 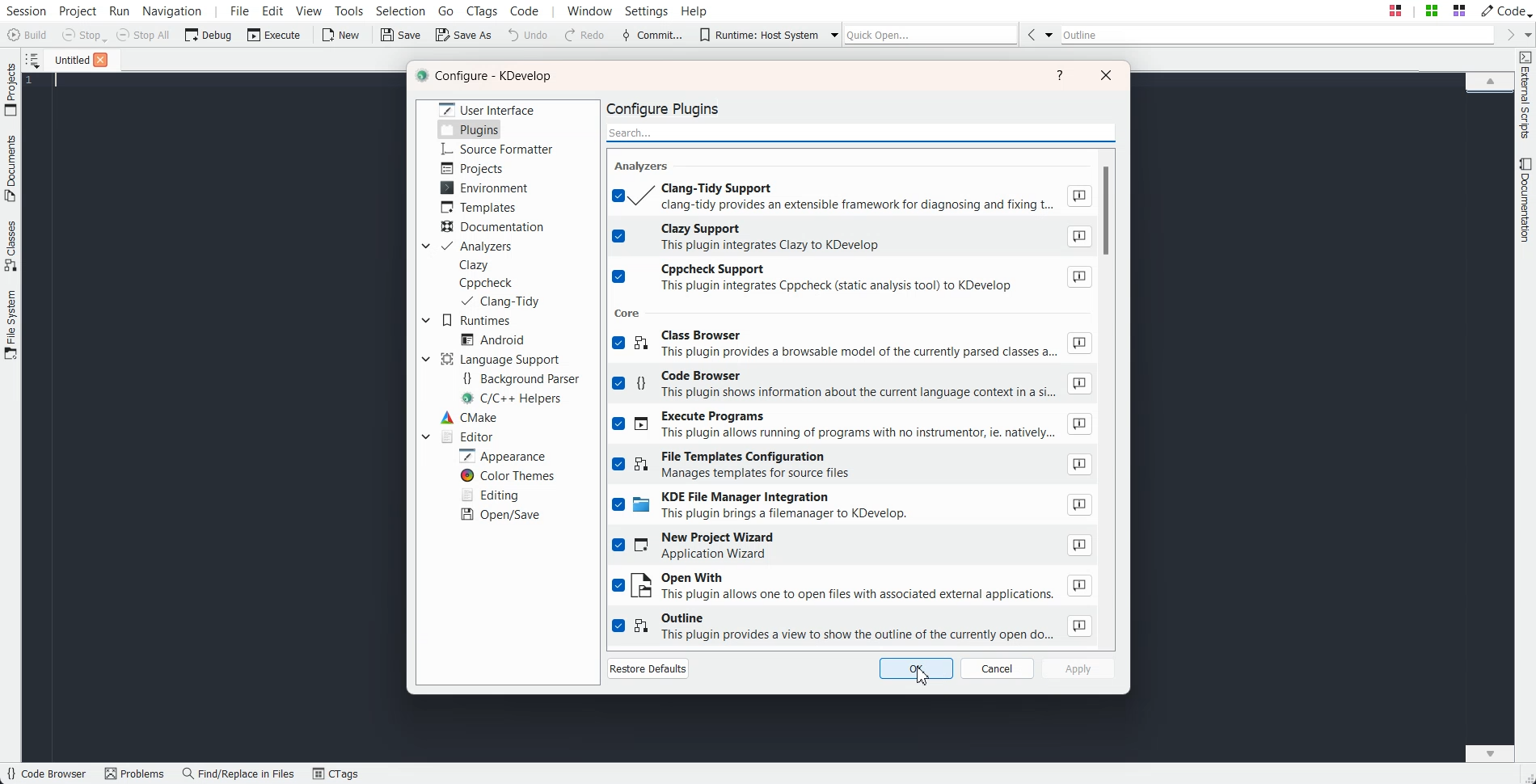 What do you see at coordinates (1078, 464) in the screenshot?
I see `About` at bounding box center [1078, 464].